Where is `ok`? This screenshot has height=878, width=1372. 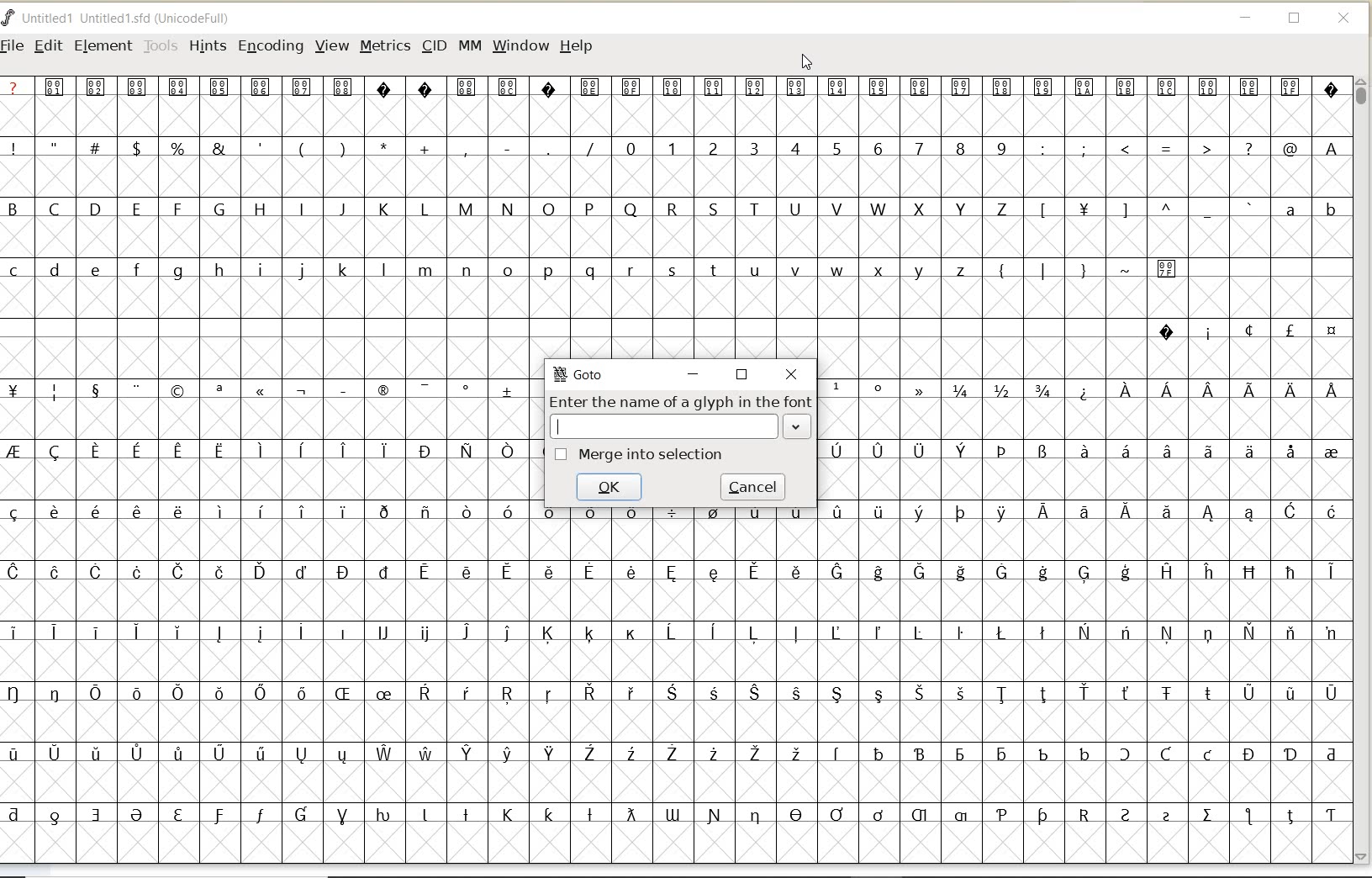
ok is located at coordinates (607, 485).